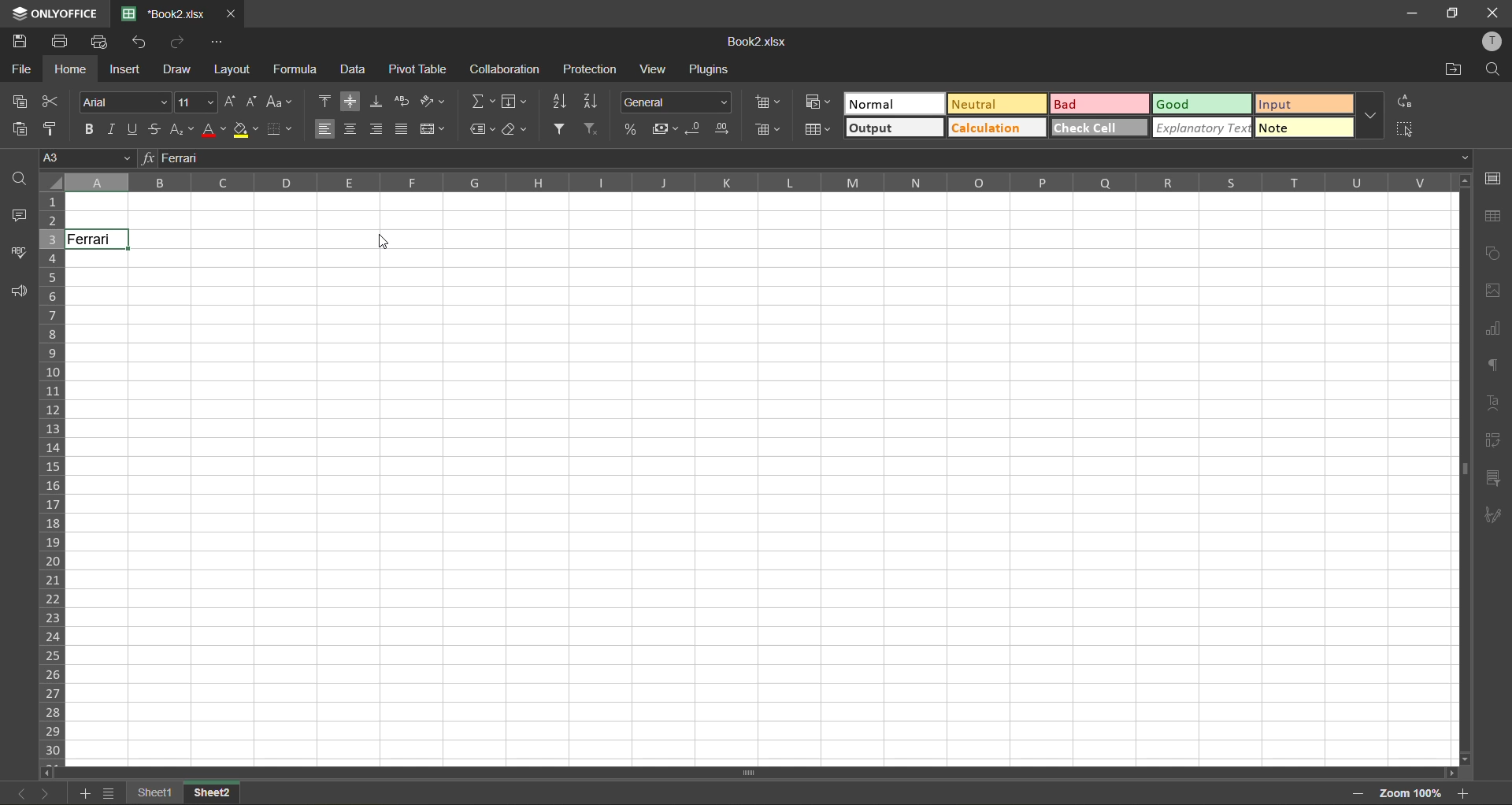 This screenshot has width=1512, height=805. Describe the element at coordinates (1448, 13) in the screenshot. I see `maximize` at that location.